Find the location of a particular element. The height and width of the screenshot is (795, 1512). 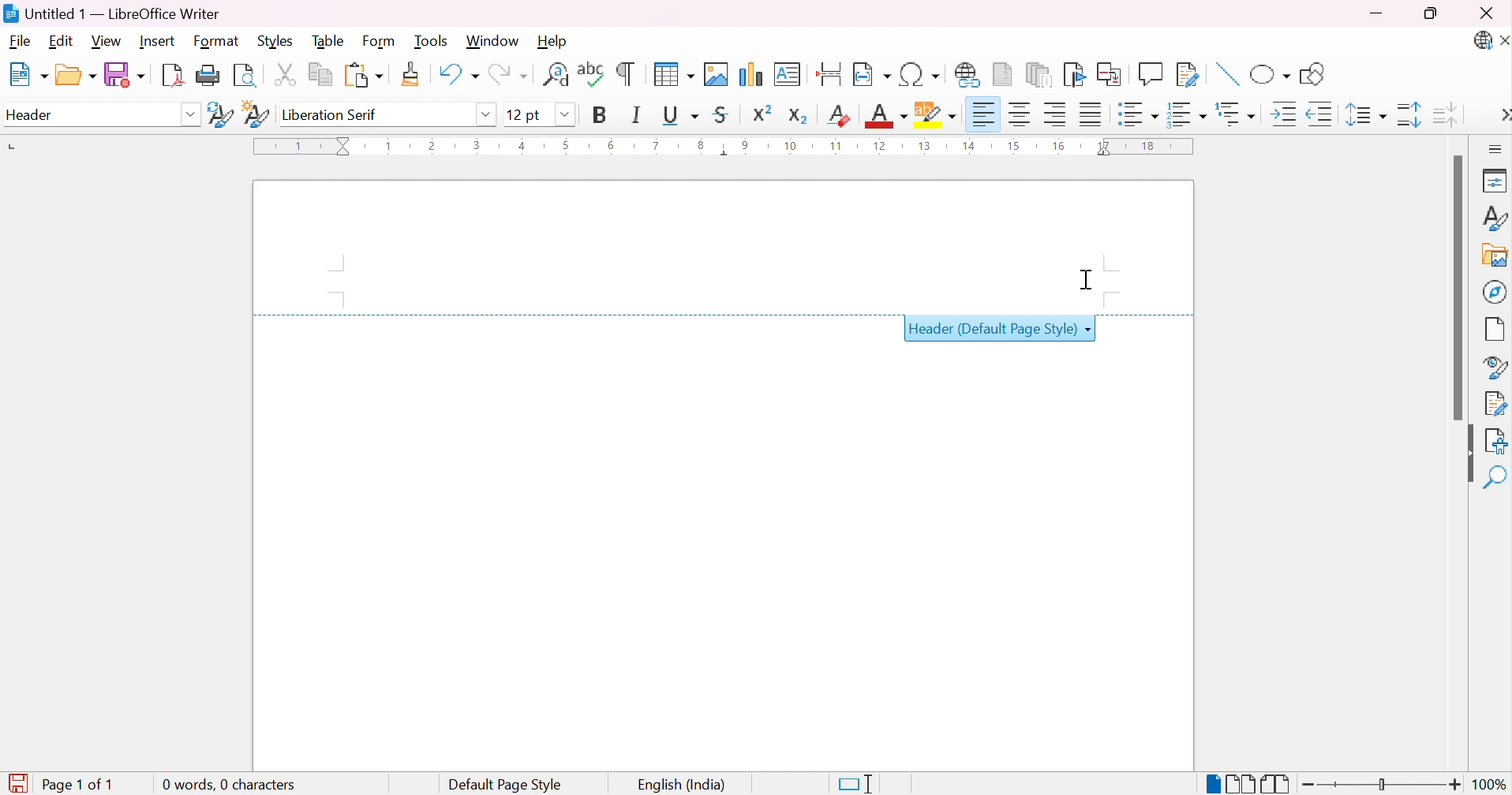

File is located at coordinates (19, 42).